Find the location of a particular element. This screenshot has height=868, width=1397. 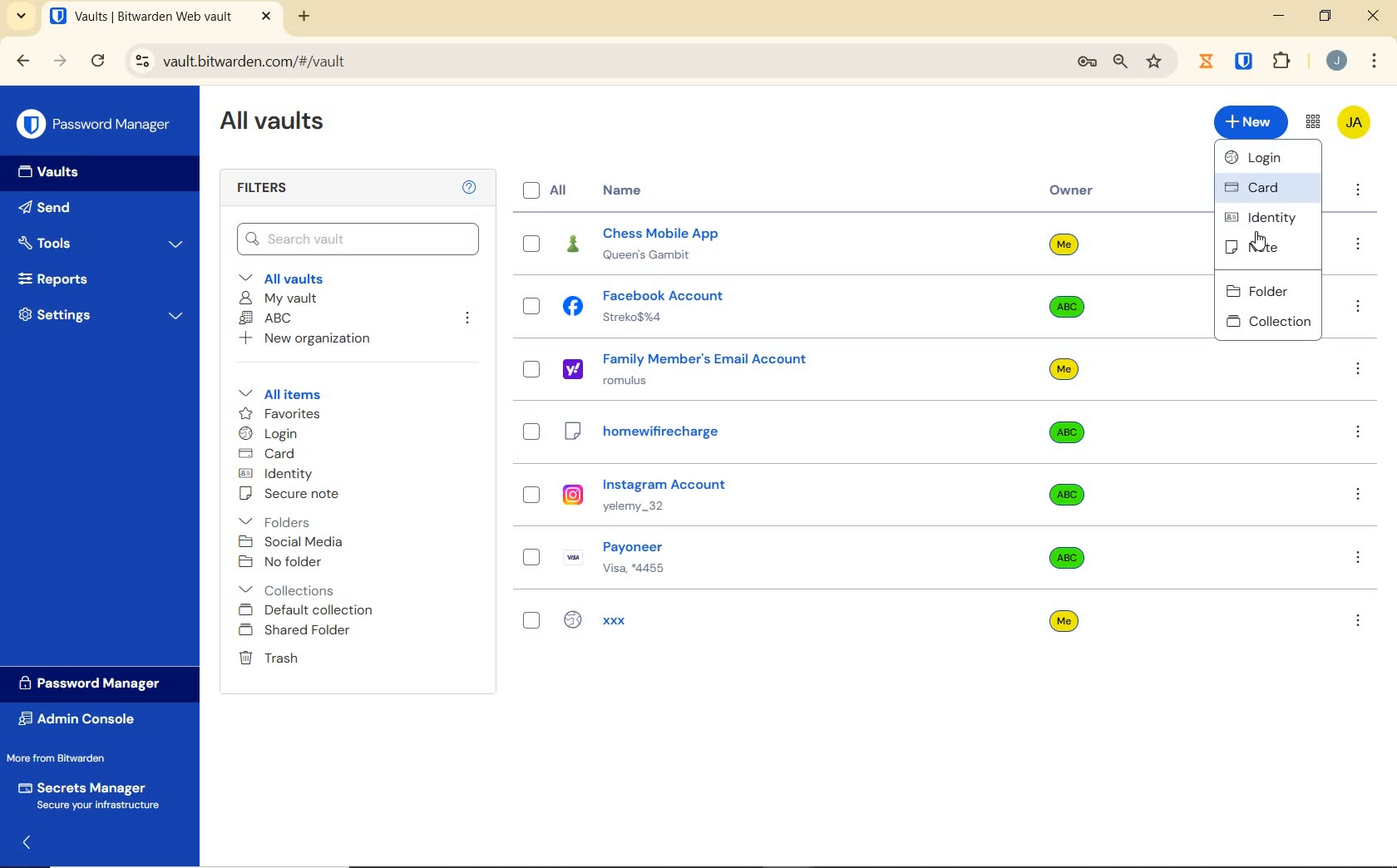

bookmark is located at coordinates (1154, 62).